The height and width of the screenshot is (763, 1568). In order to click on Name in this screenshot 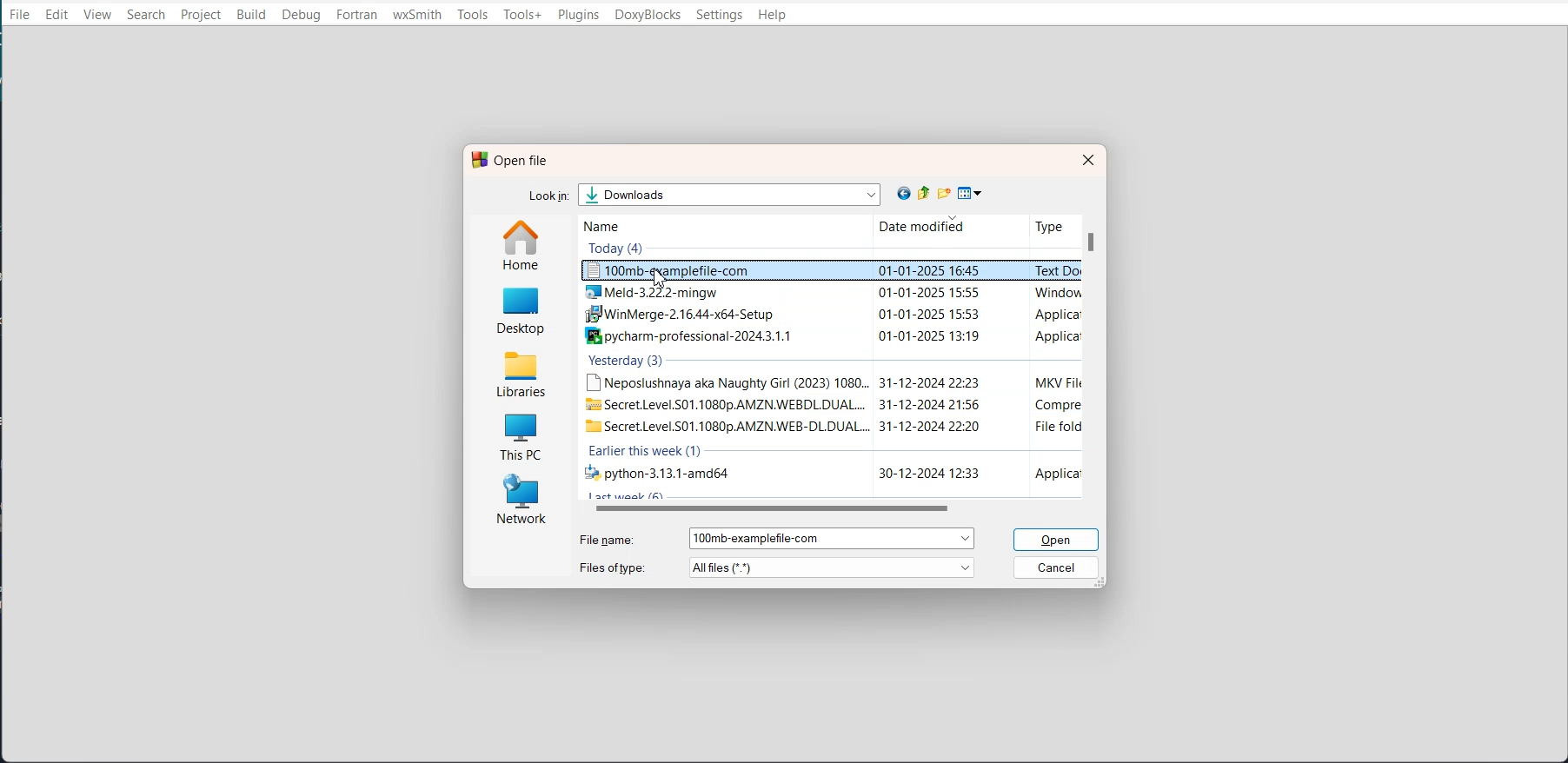, I will do `click(624, 225)`.